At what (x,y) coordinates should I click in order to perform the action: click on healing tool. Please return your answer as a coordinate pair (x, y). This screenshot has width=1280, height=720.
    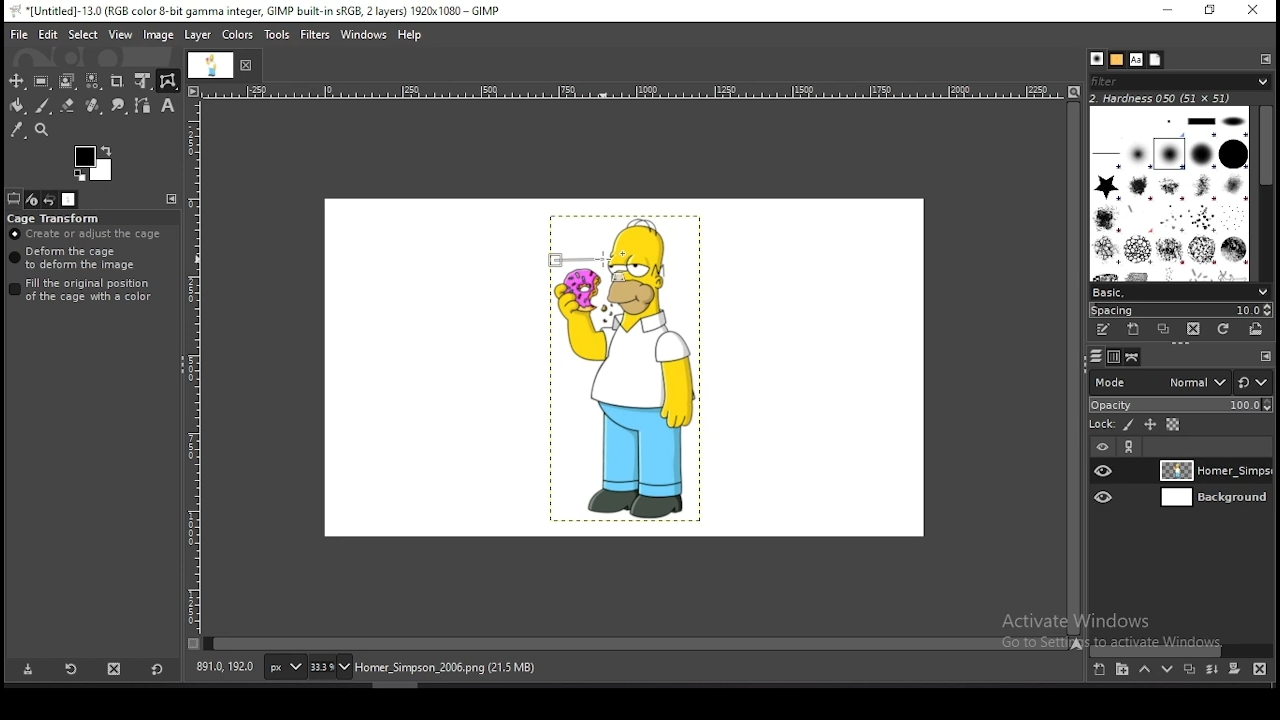
    Looking at the image, I should click on (93, 105).